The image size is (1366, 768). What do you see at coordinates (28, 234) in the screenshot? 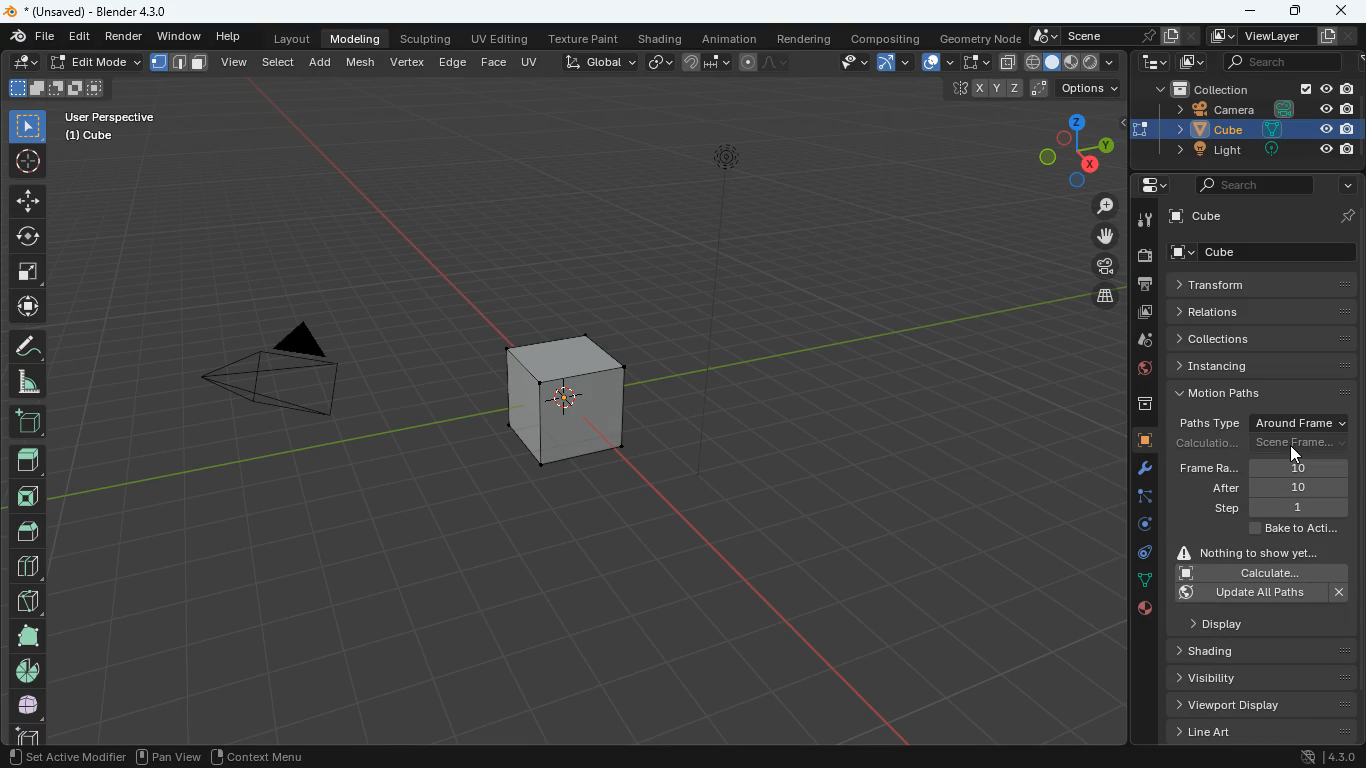
I see `rotate` at bounding box center [28, 234].